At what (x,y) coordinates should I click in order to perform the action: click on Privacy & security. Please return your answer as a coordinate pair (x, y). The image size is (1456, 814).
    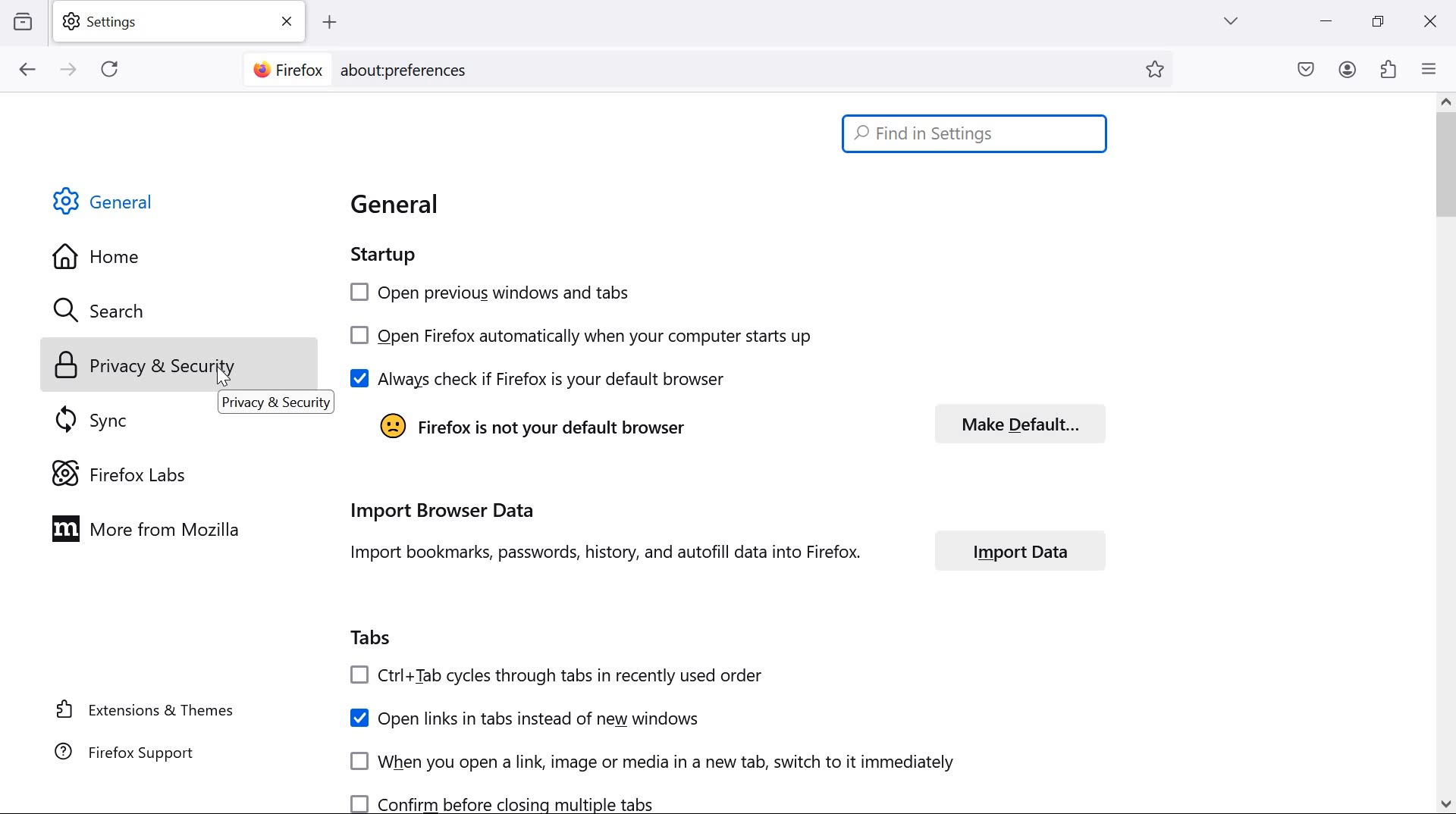
    Looking at the image, I should click on (149, 366).